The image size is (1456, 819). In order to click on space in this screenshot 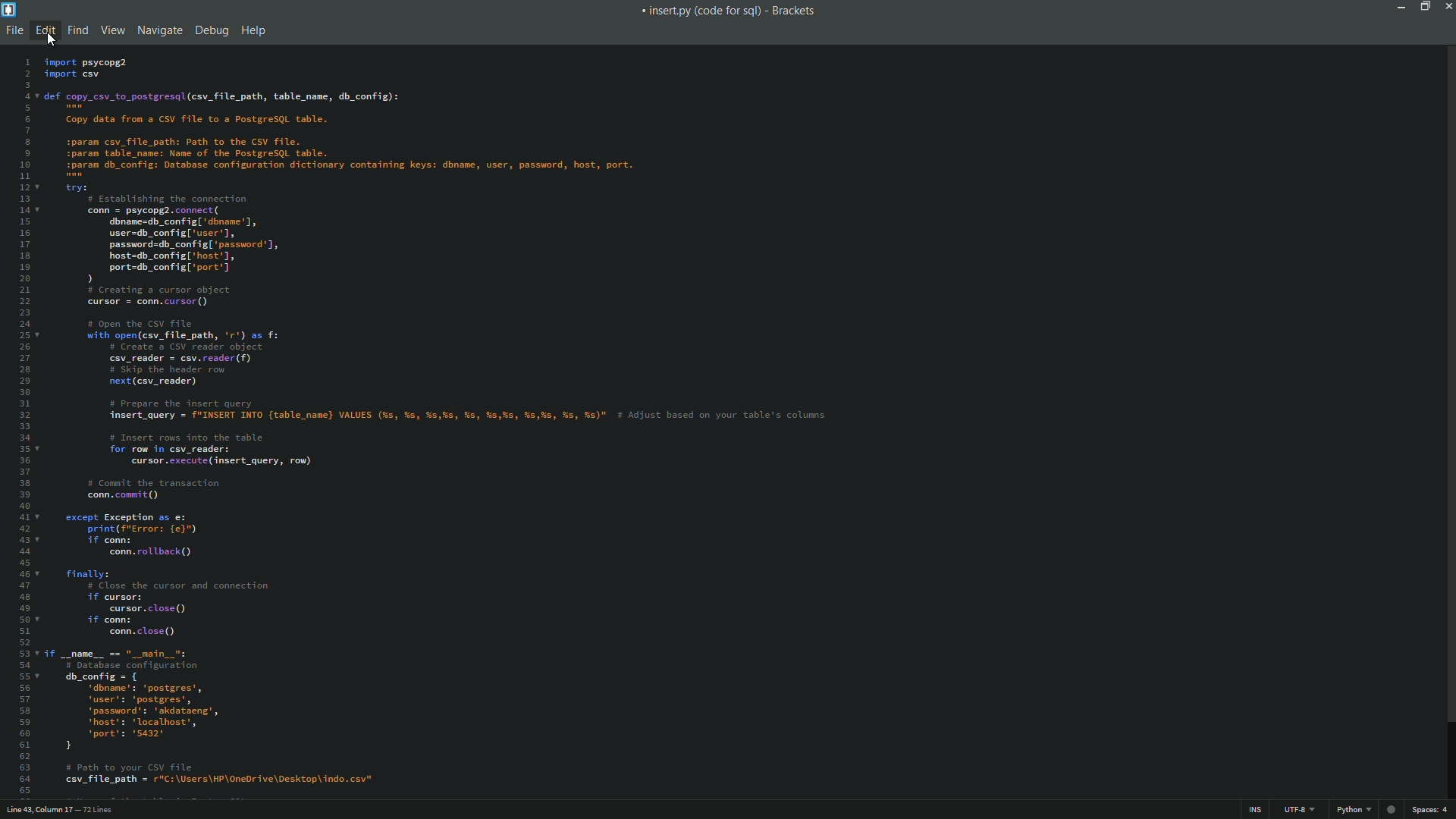, I will do `click(1429, 810)`.